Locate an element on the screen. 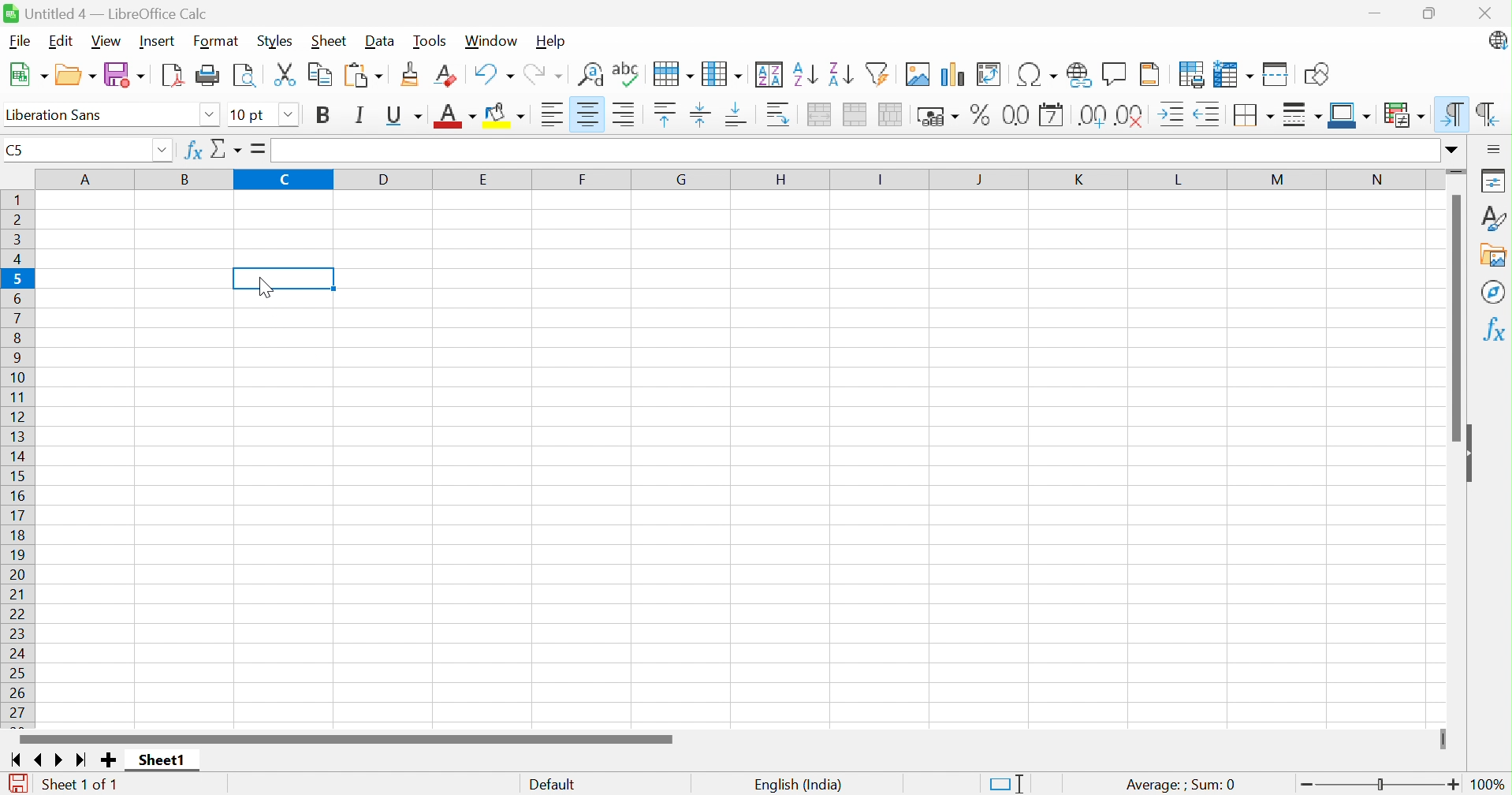 The width and height of the screenshot is (1512, 795). Minimize is located at coordinates (1373, 13).